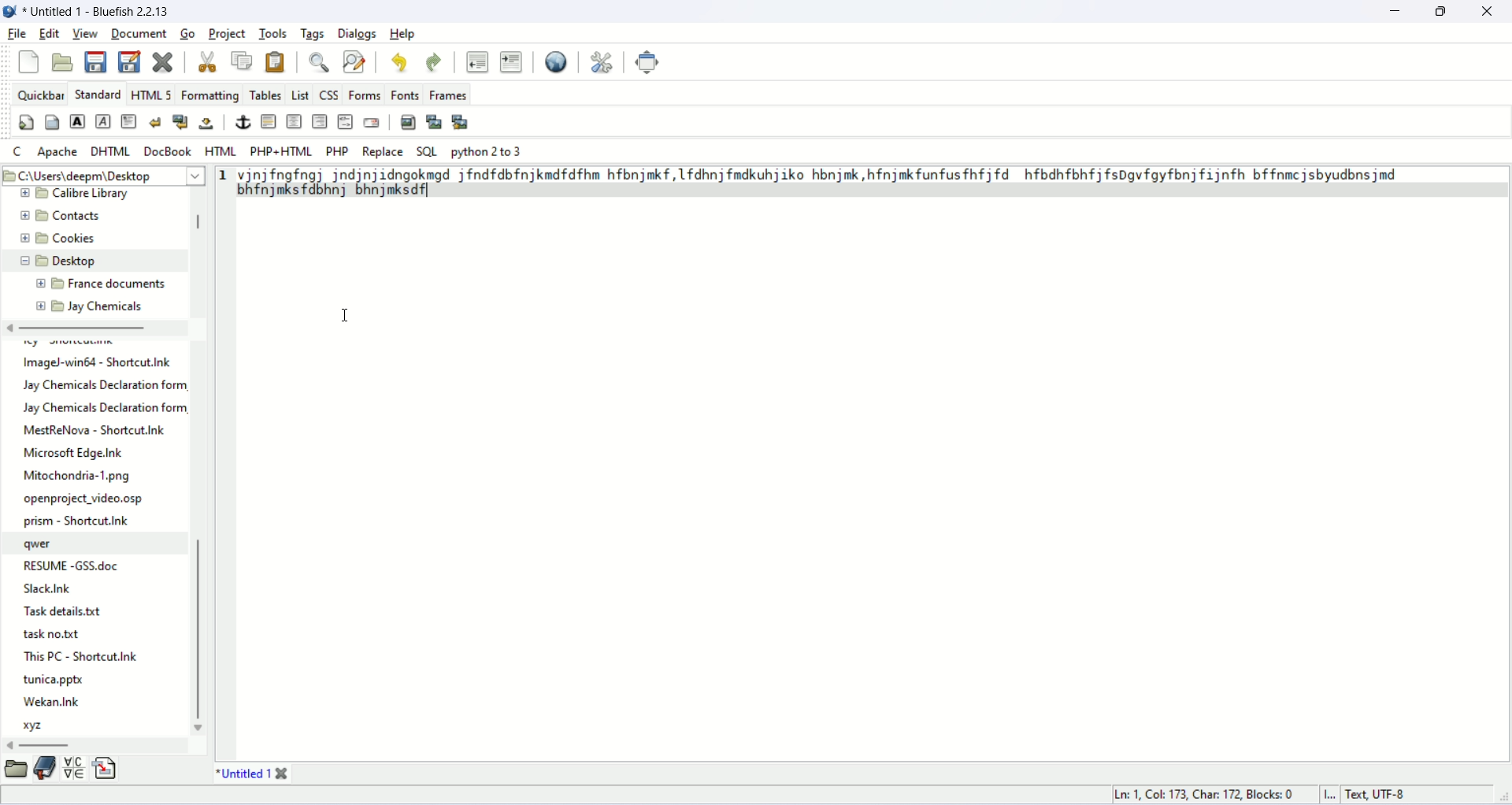  Describe the element at coordinates (1386, 796) in the screenshot. I see `text, UTF-8` at that location.